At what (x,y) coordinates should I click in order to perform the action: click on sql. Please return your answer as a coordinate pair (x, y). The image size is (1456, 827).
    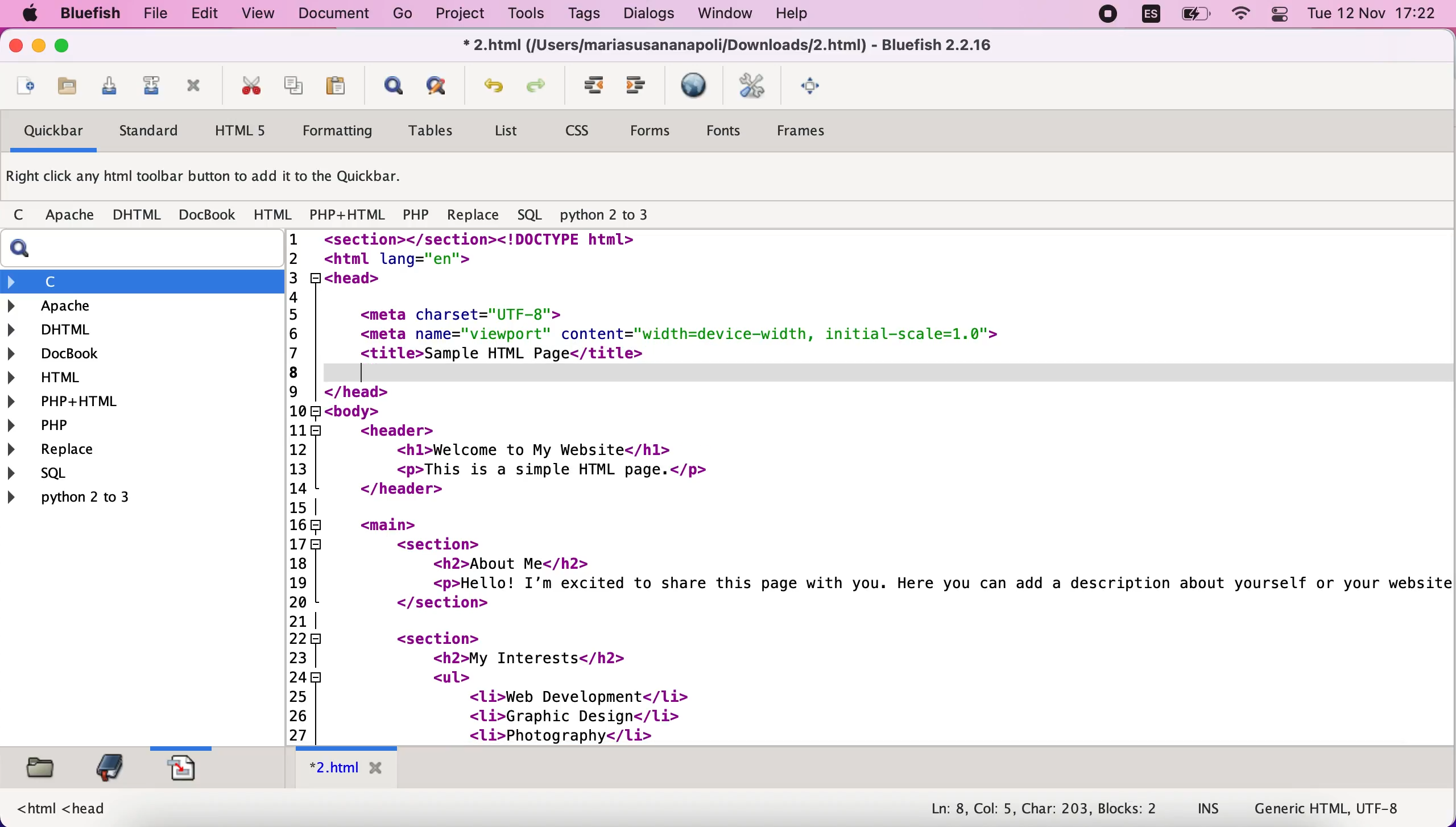
    Looking at the image, I should click on (87, 476).